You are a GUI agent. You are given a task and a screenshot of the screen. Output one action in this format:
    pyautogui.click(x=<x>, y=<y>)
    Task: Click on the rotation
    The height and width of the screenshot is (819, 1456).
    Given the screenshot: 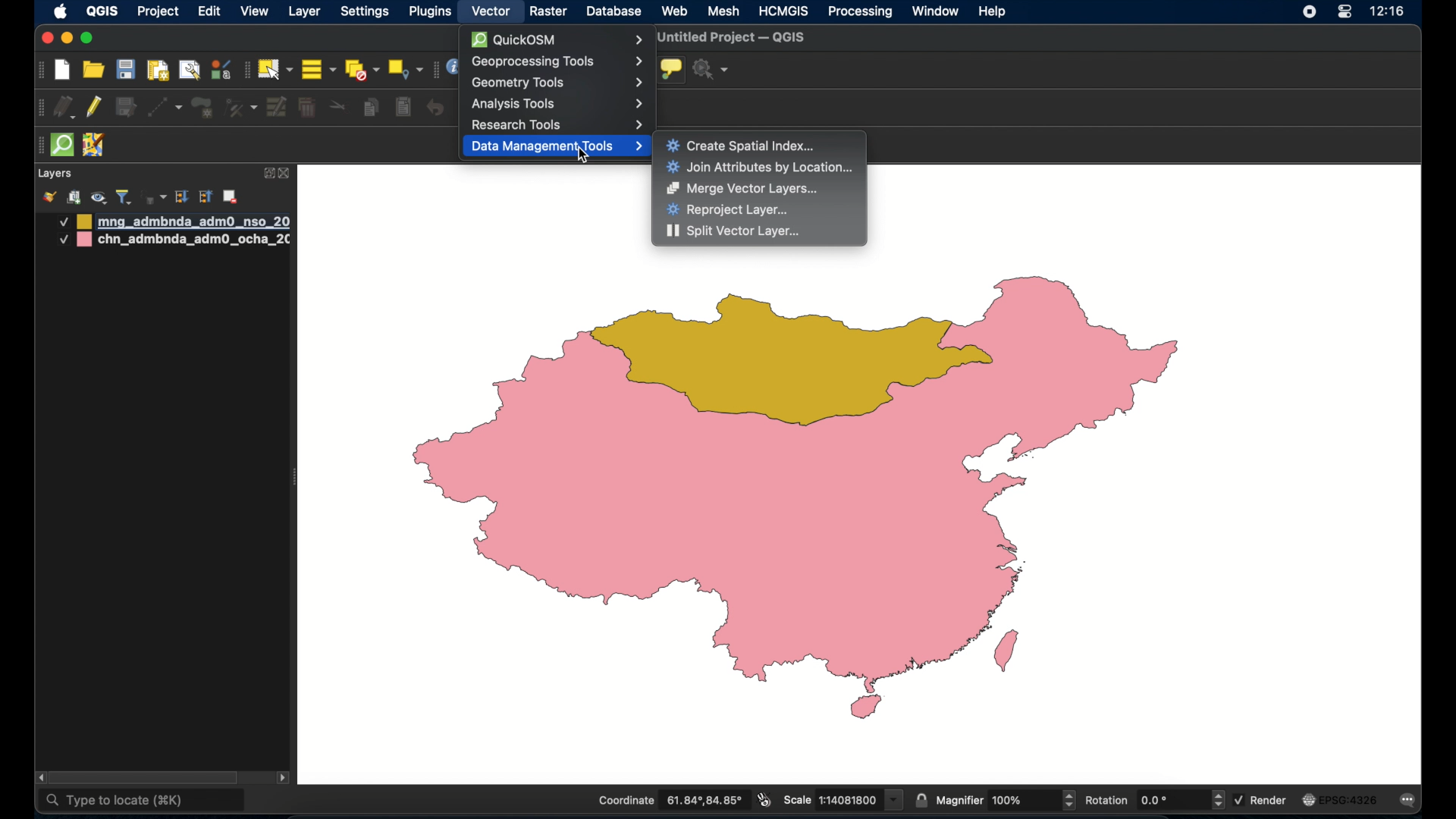 What is the action you would take?
    pyautogui.click(x=1153, y=801)
    